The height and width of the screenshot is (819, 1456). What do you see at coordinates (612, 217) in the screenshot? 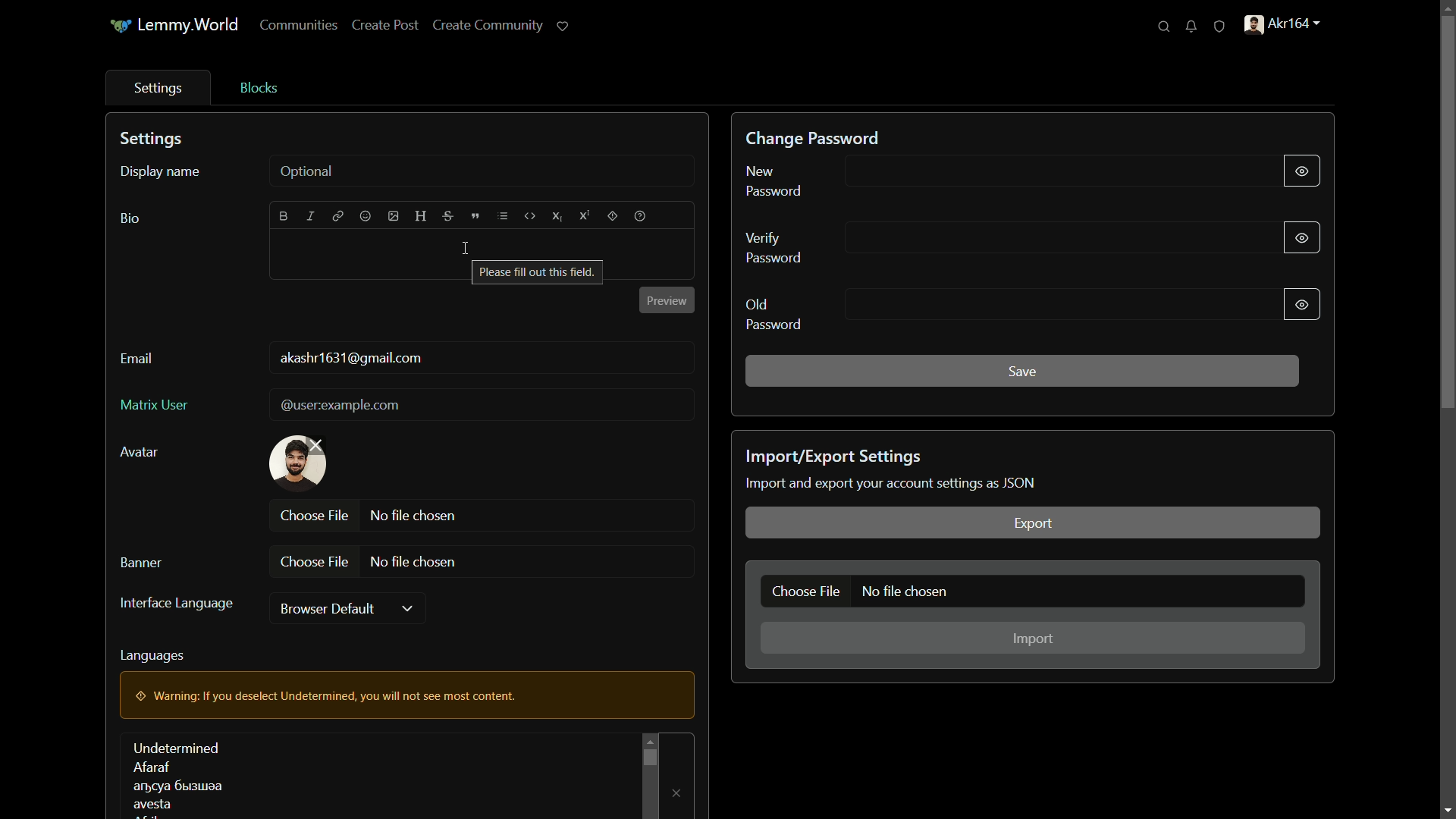
I see `spoiler` at bounding box center [612, 217].